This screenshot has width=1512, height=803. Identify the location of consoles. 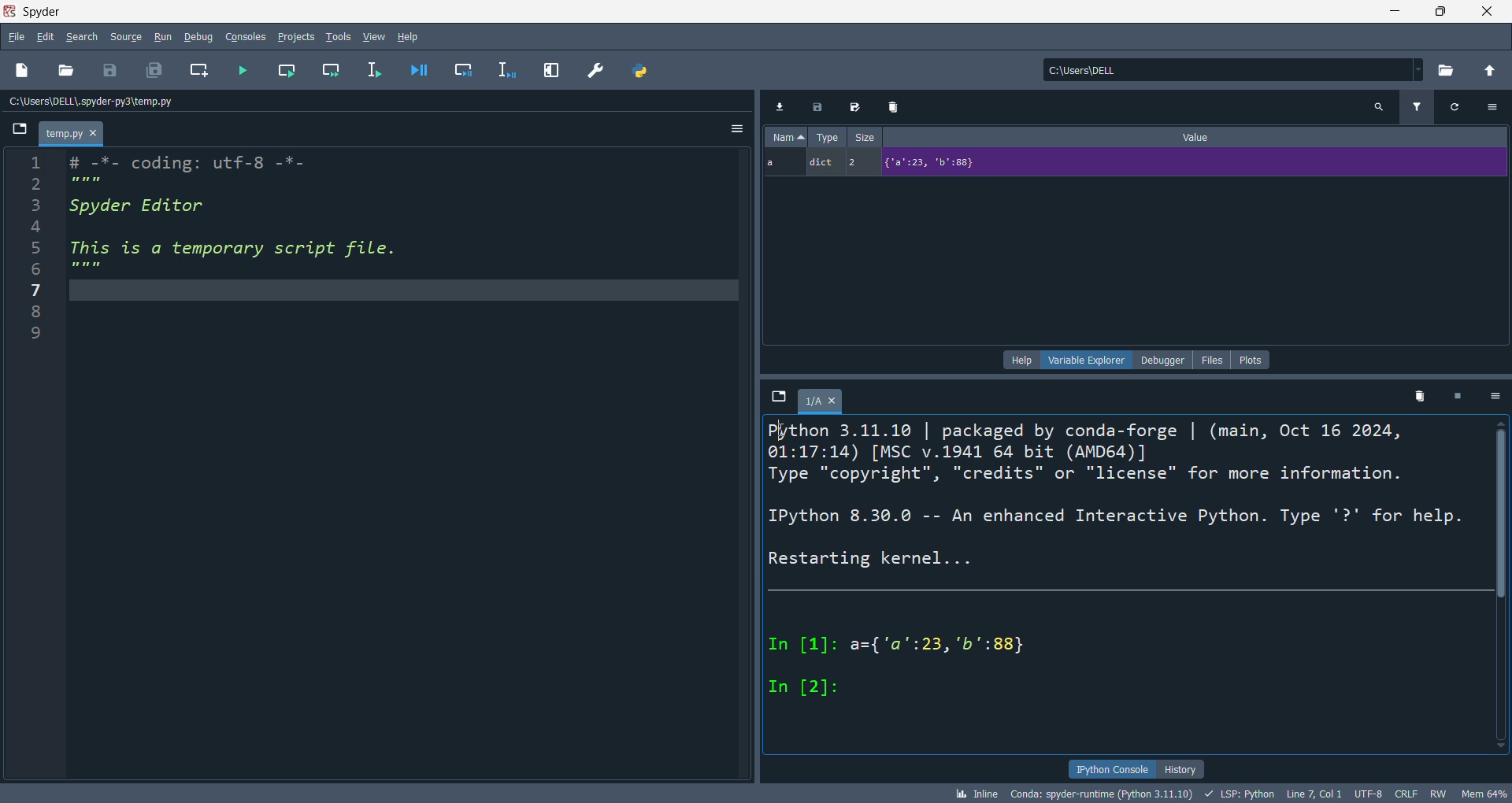
(250, 36).